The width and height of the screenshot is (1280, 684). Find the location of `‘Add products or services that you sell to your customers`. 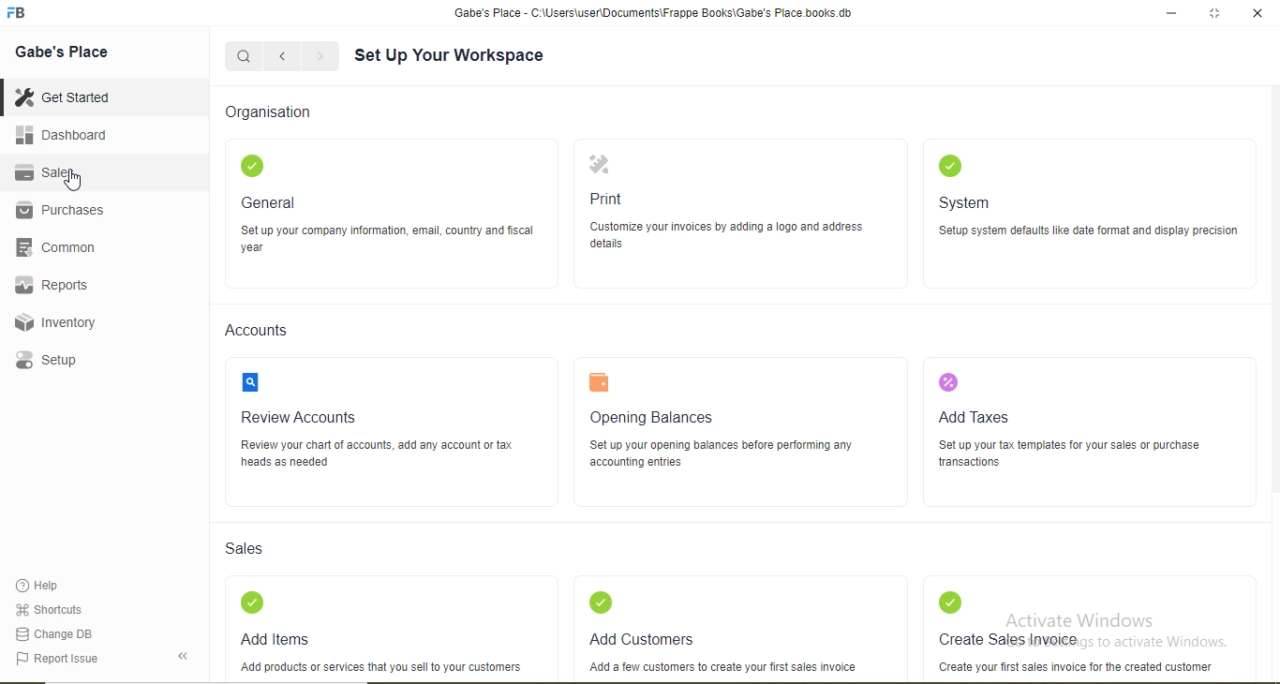

‘Add products or services that you sell to your customers is located at coordinates (391, 668).